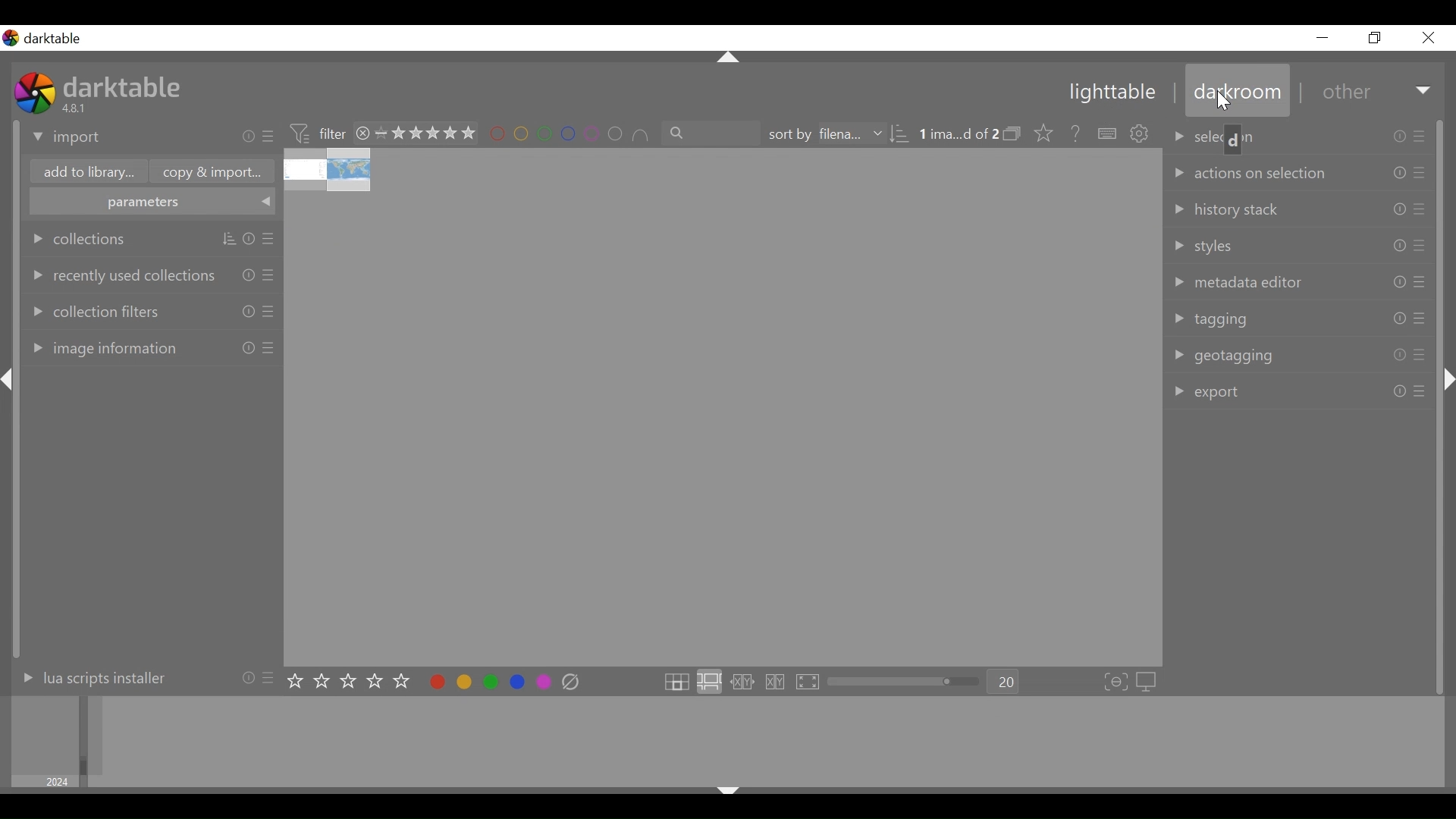  What do you see at coordinates (211, 171) in the screenshot?
I see `copy & import` at bounding box center [211, 171].